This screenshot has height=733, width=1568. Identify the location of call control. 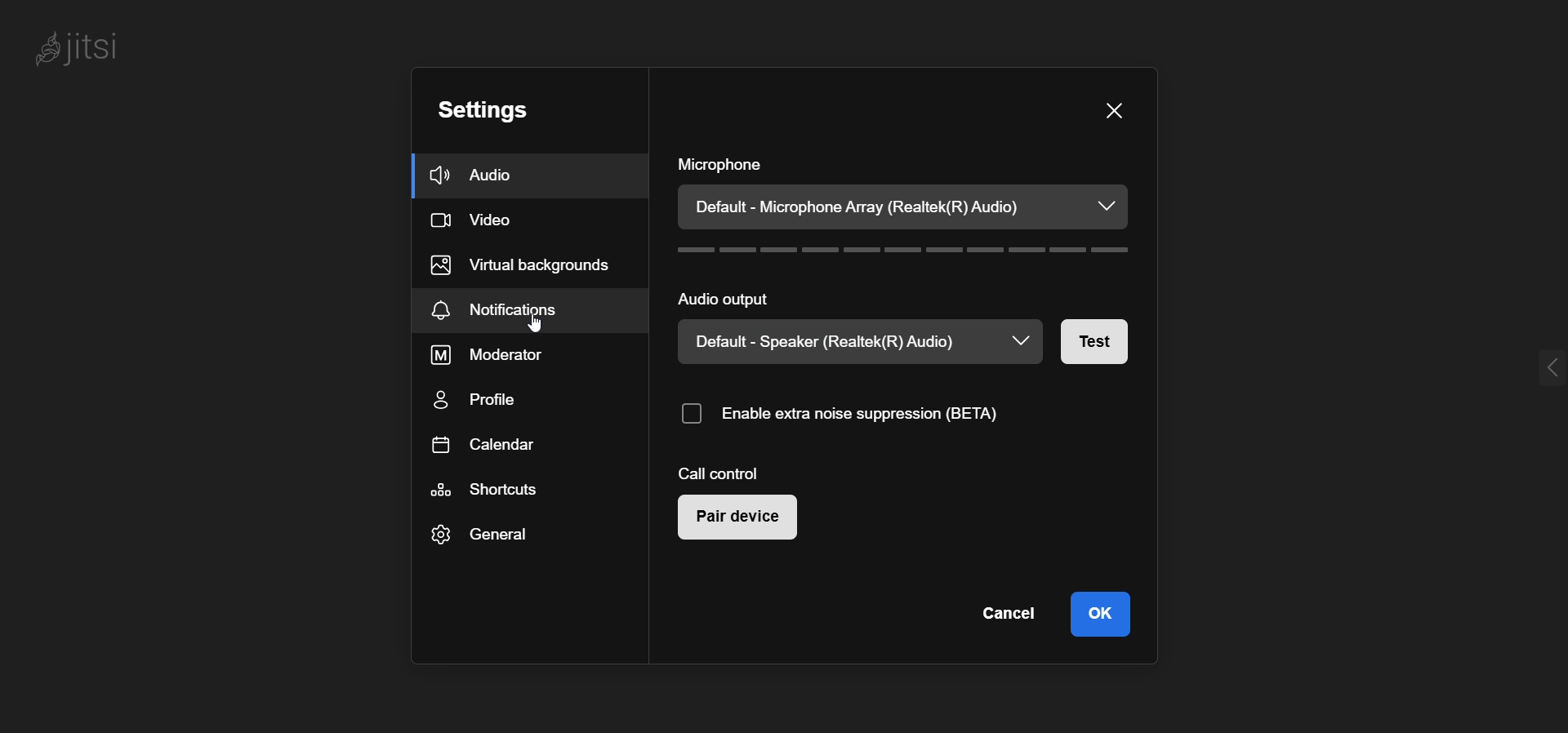
(719, 469).